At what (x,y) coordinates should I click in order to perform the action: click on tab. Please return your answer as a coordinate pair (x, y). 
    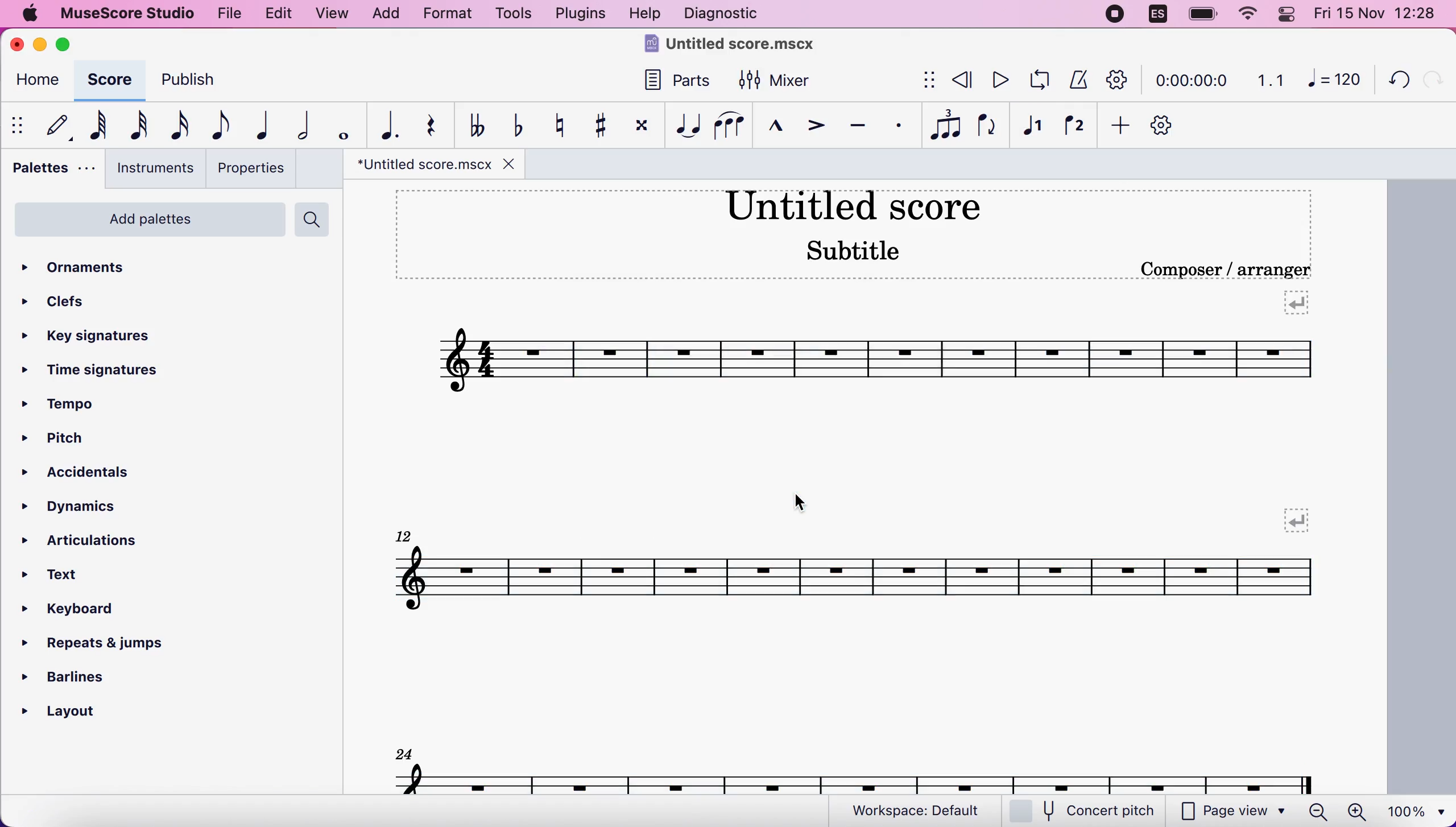
    Looking at the image, I should click on (420, 164).